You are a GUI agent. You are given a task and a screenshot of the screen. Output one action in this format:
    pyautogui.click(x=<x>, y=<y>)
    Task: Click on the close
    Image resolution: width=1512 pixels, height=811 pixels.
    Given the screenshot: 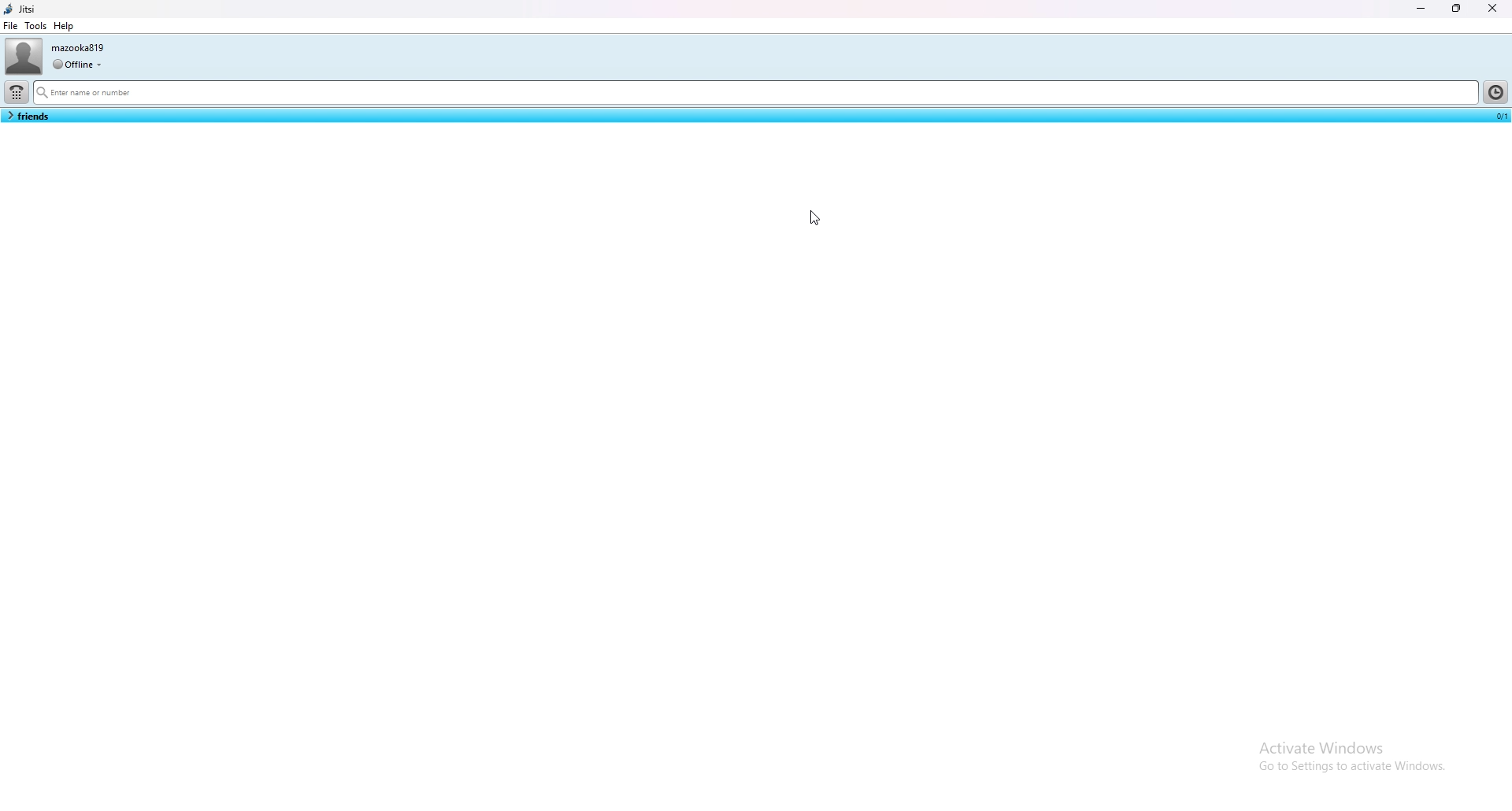 What is the action you would take?
    pyautogui.click(x=1492, y=8)
    